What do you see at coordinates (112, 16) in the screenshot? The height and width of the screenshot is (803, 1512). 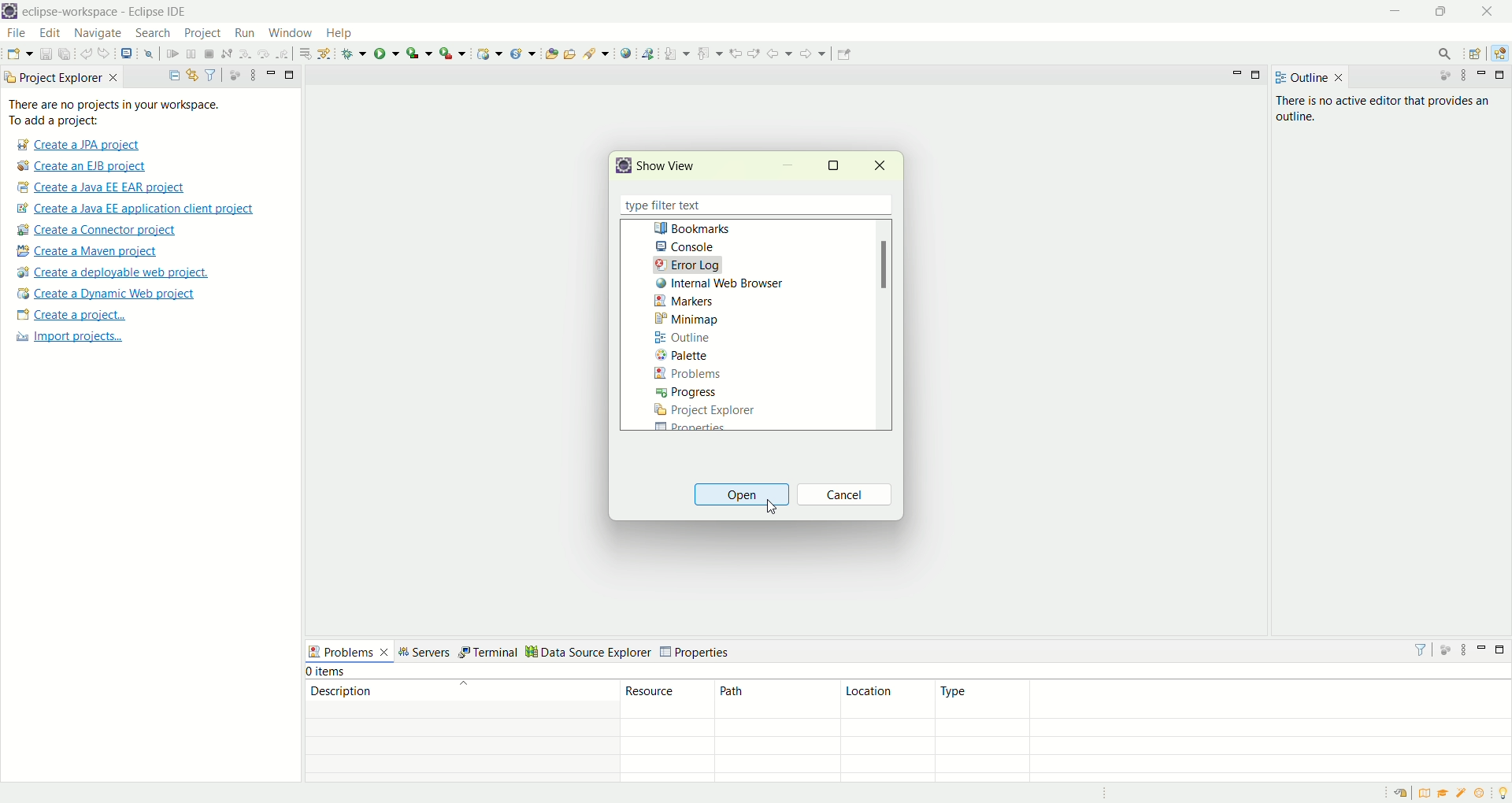 I see `eclipse-workspace-Eclipse-IDE` at bounding box center [112, 16].